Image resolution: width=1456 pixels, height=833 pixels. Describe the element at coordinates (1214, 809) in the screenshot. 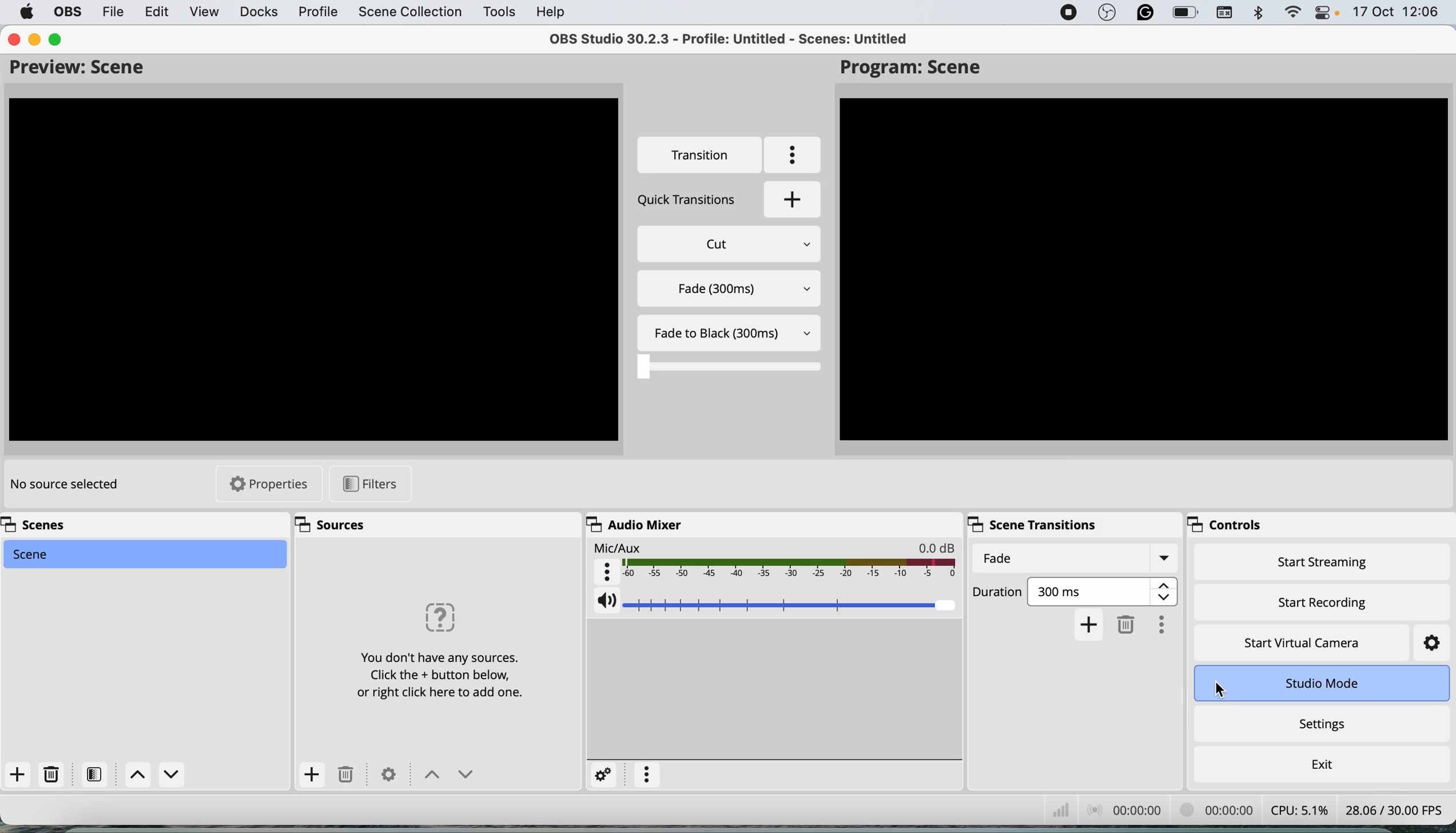

I see `video recording timestamp` at that location.